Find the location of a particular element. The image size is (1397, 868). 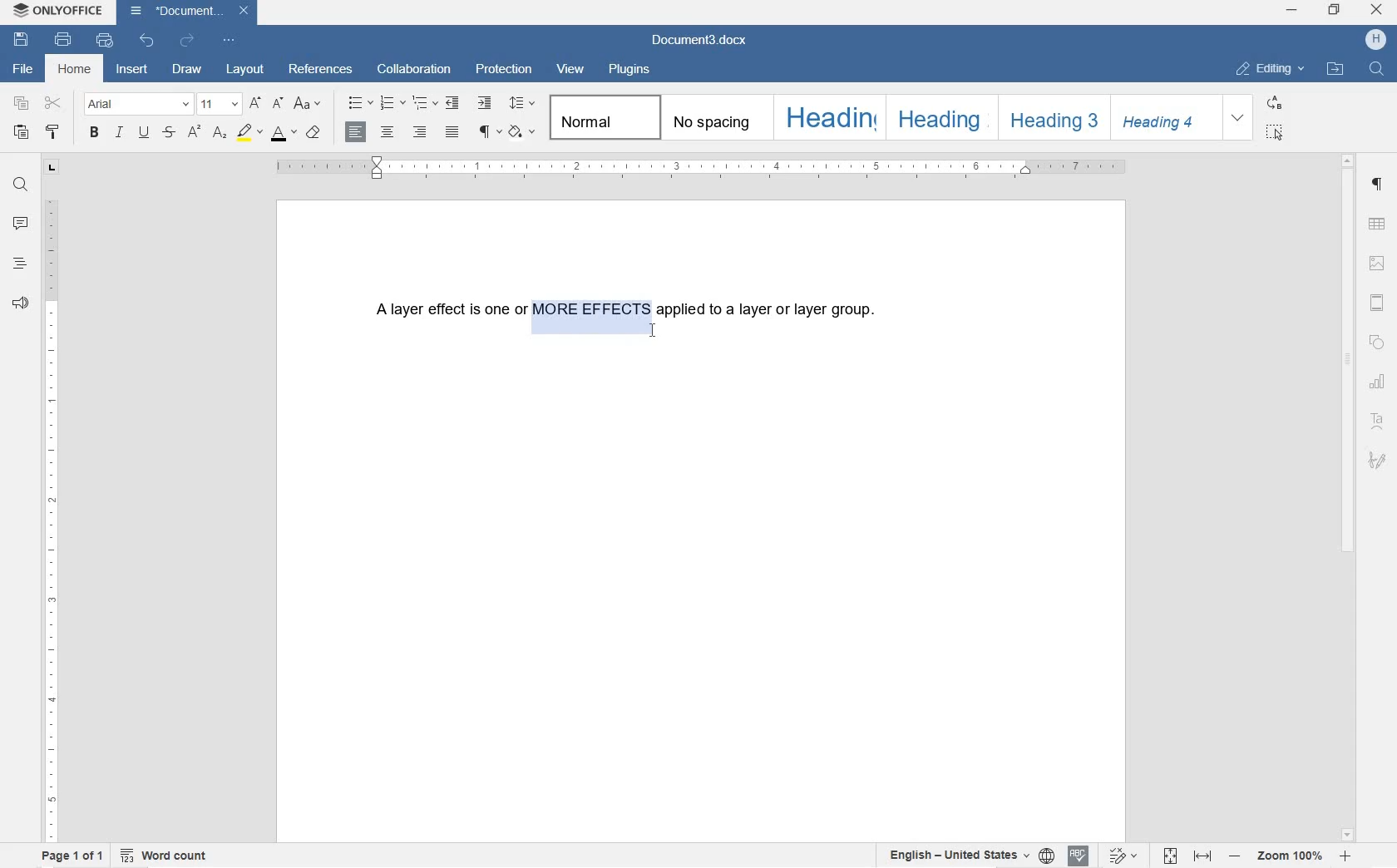

PARAGRAPH SETTINGS is located at coordinates (1378, 188).